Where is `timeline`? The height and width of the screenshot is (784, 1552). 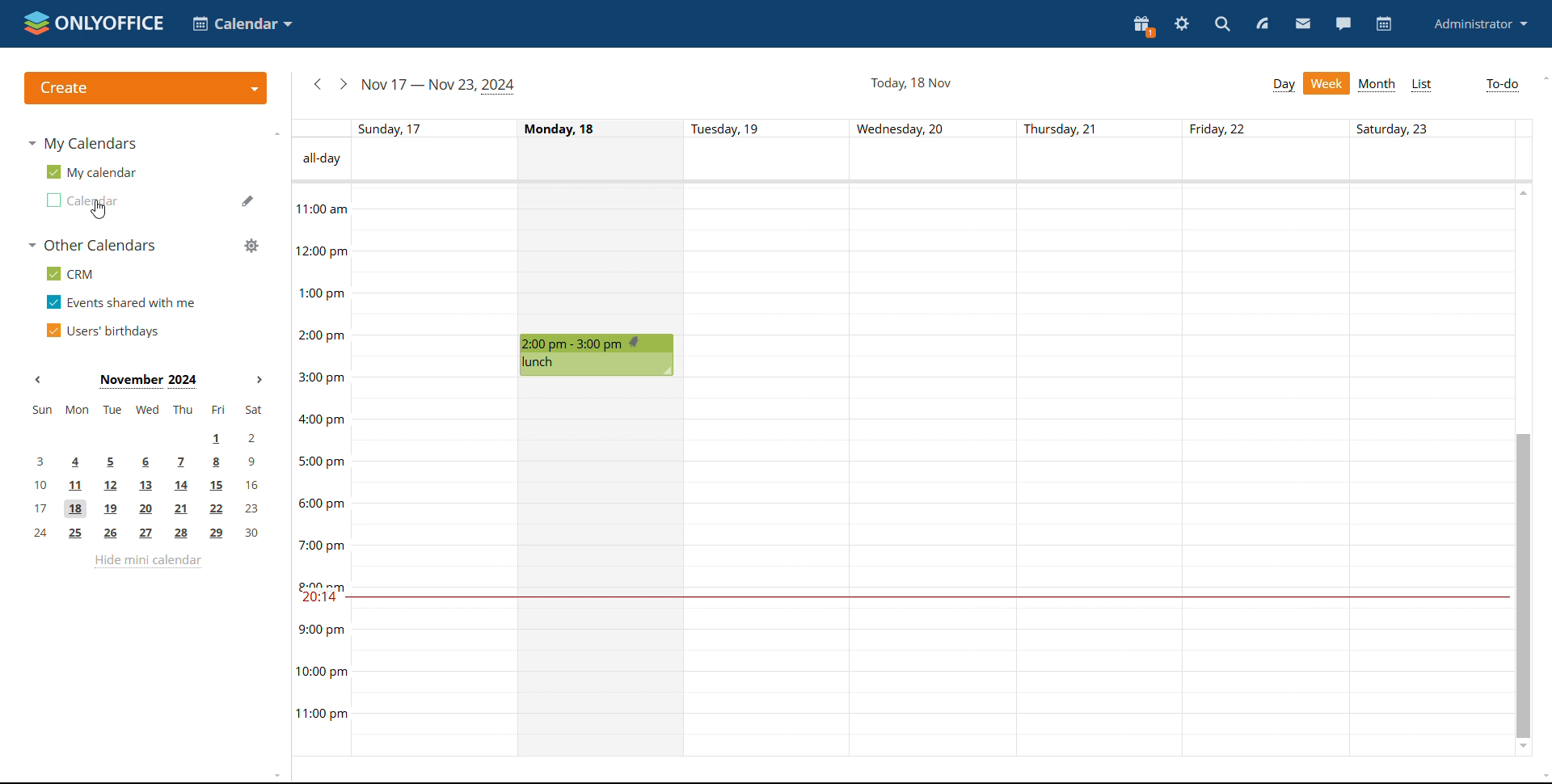
timeline is located at coordinates (320, 469).